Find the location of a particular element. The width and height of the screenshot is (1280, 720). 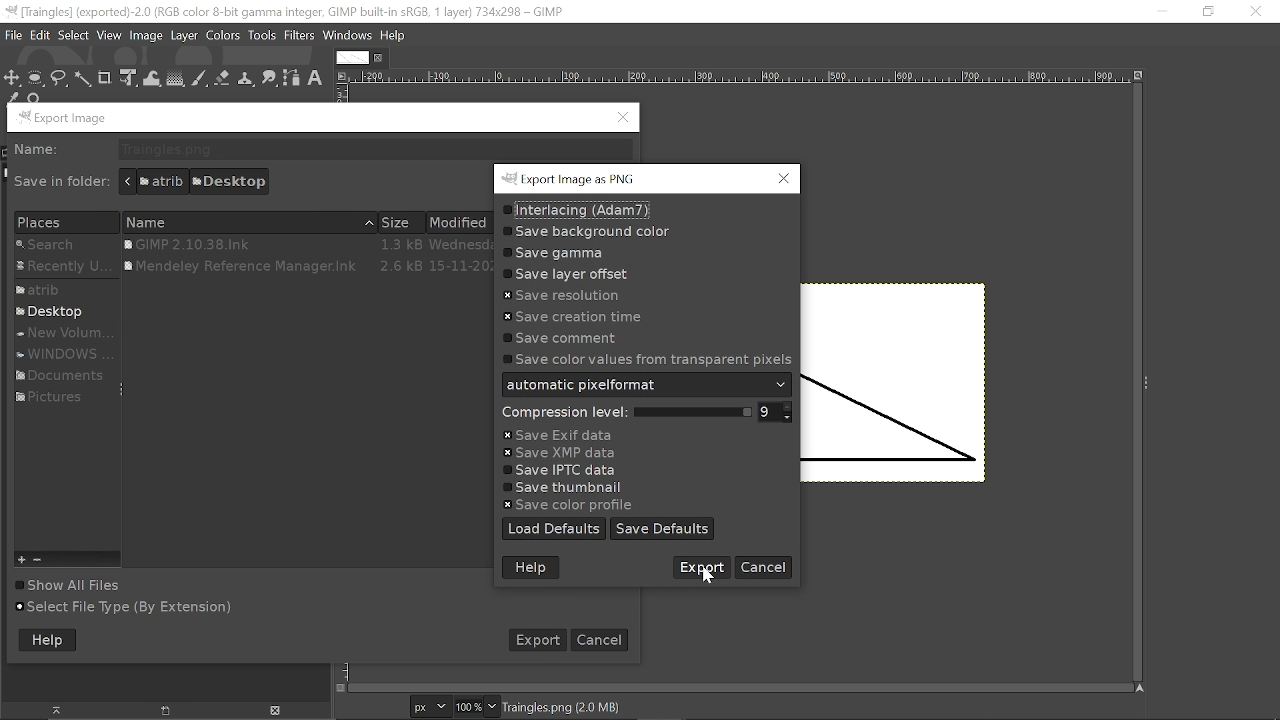

Eraser tool is located at coordinates (223, 80).